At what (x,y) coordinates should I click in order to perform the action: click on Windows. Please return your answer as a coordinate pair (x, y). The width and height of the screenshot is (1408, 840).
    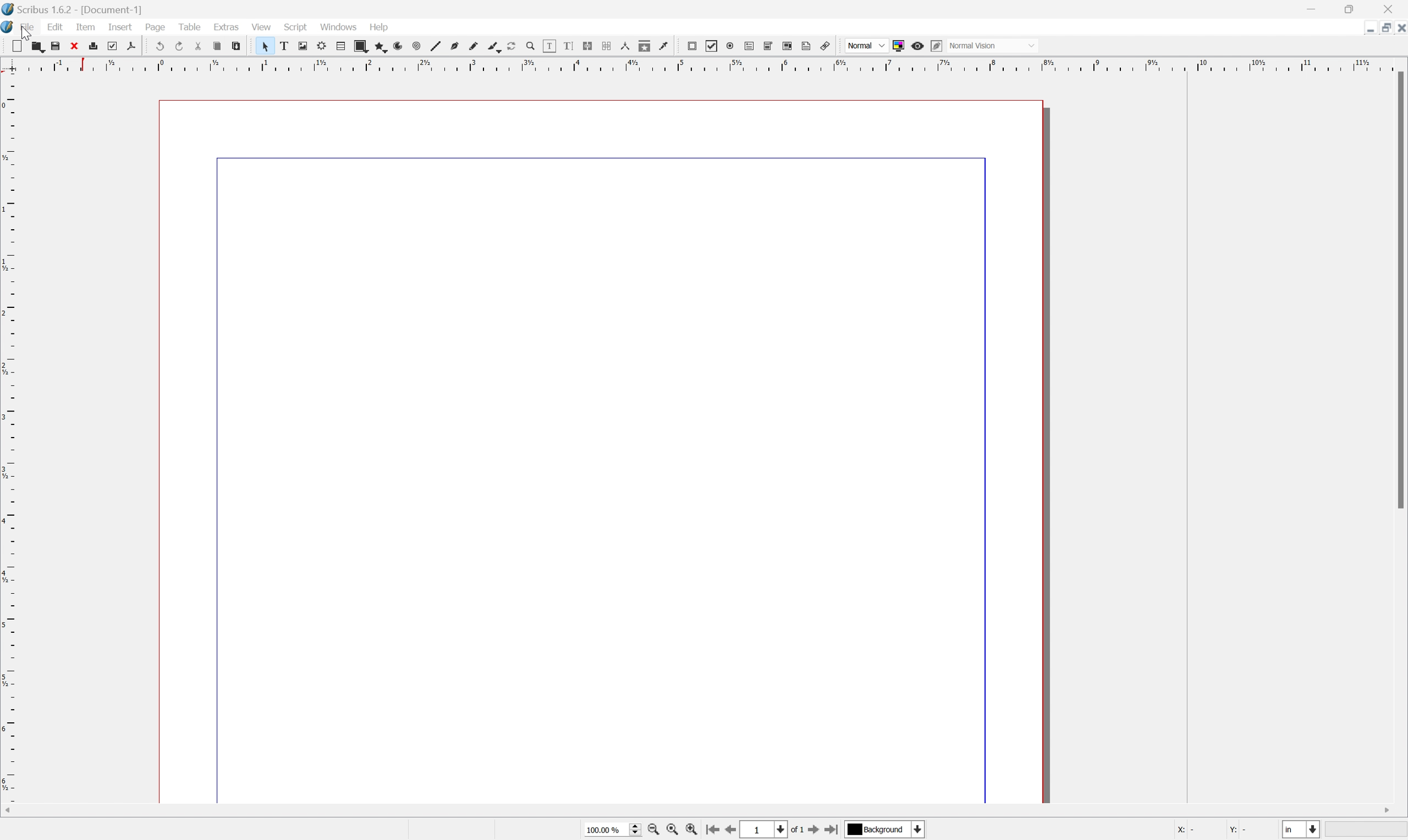
    Looking at the image, I should click on (339, 28).